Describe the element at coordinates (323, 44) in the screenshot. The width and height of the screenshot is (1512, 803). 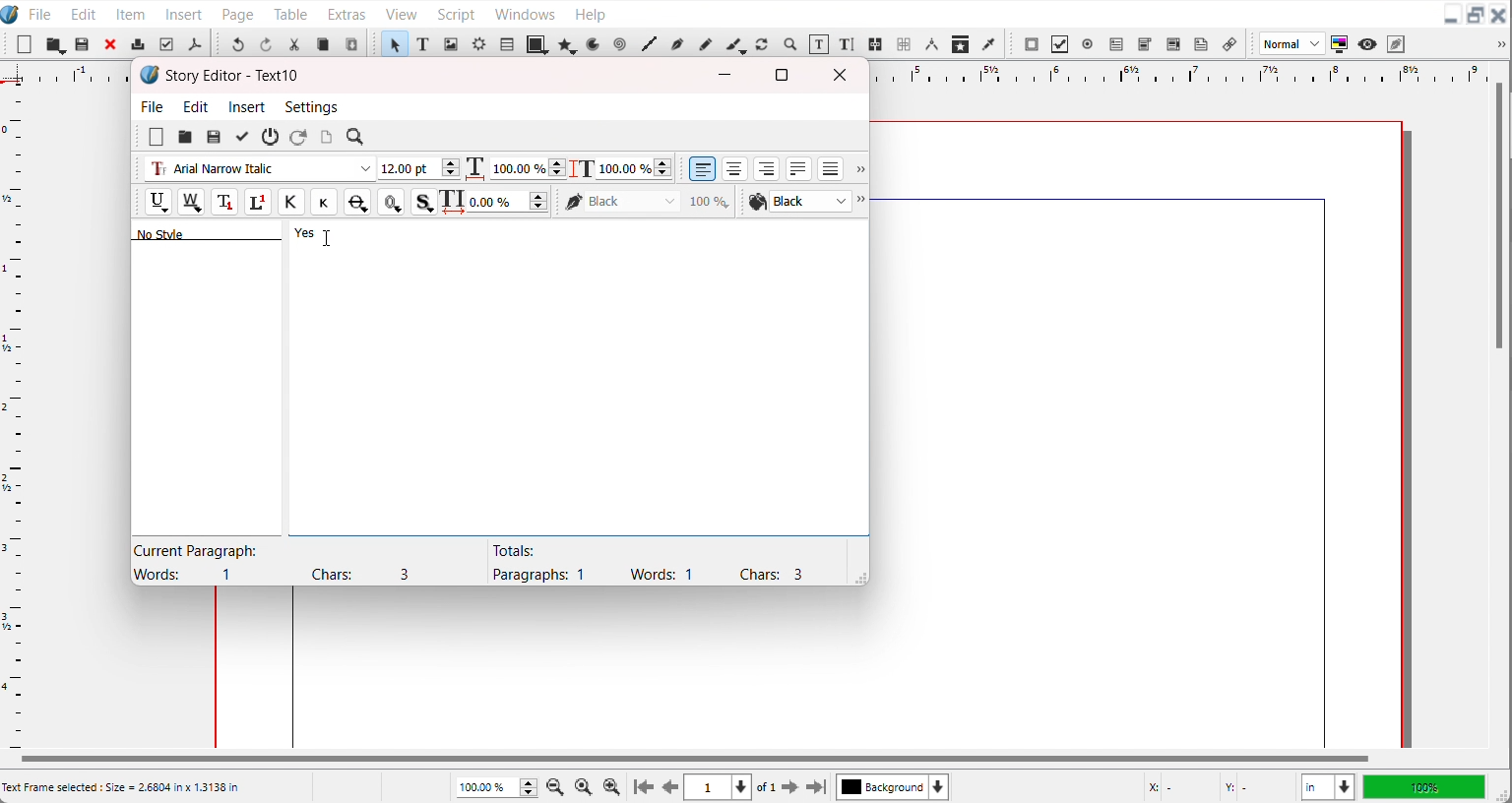
I see `Copy` at that location.